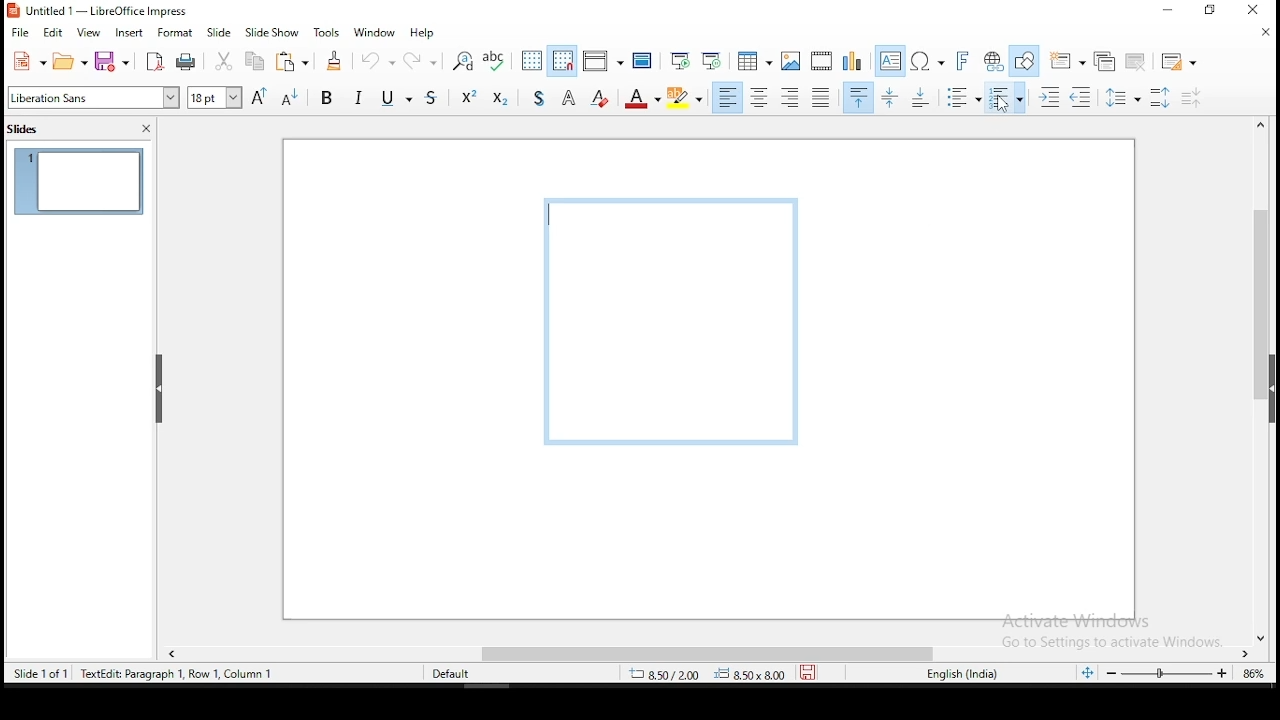  What do you see at coordinates (1004, 102) in the screenshot?
I see `mouse pointer` at bounding box center [1004, 102].